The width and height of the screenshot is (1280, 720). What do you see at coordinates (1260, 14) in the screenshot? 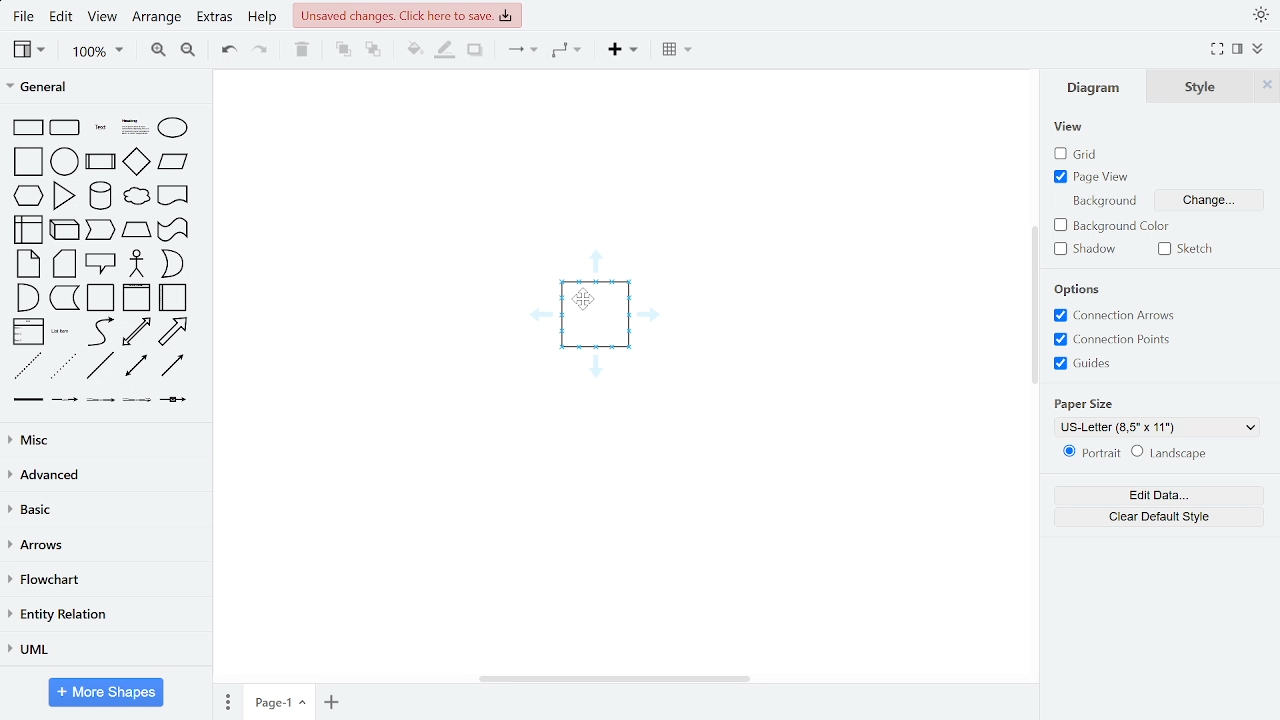
I see `appearance` at bounding box center [1260, 14].